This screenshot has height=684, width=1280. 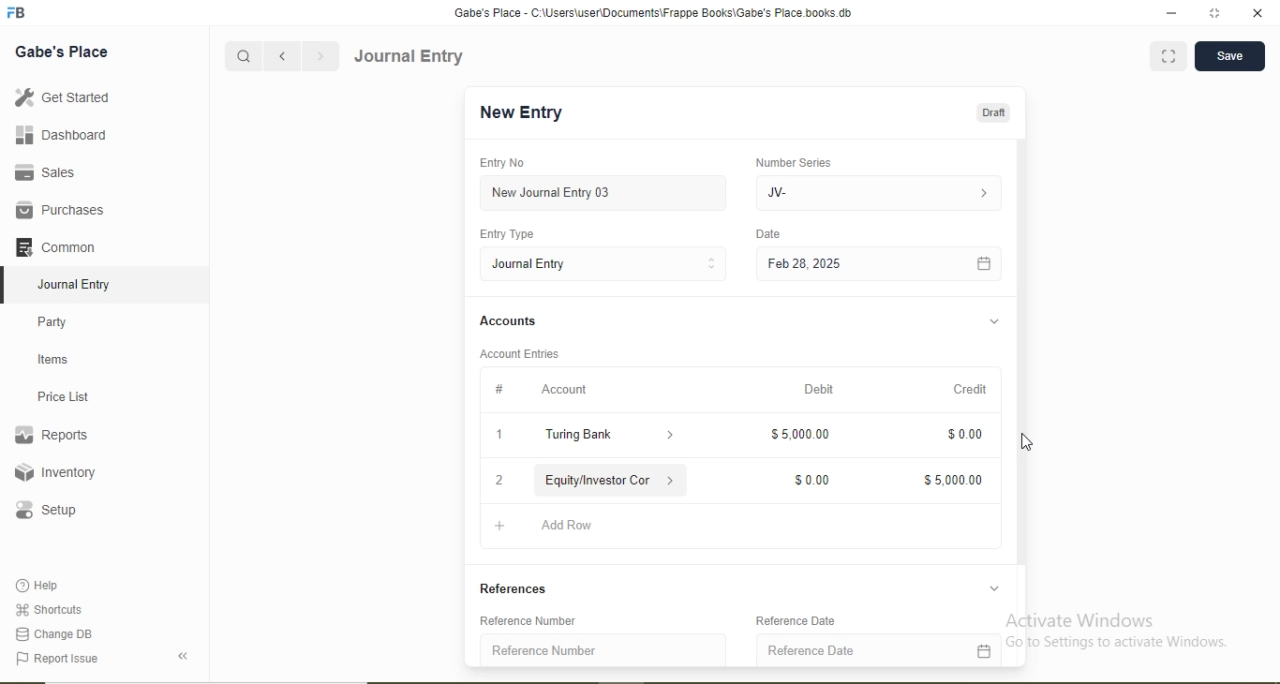 What do you see at coordinates (520, 113) in the screenshot?
I see `New Entry` at bounding box center [520, 113].